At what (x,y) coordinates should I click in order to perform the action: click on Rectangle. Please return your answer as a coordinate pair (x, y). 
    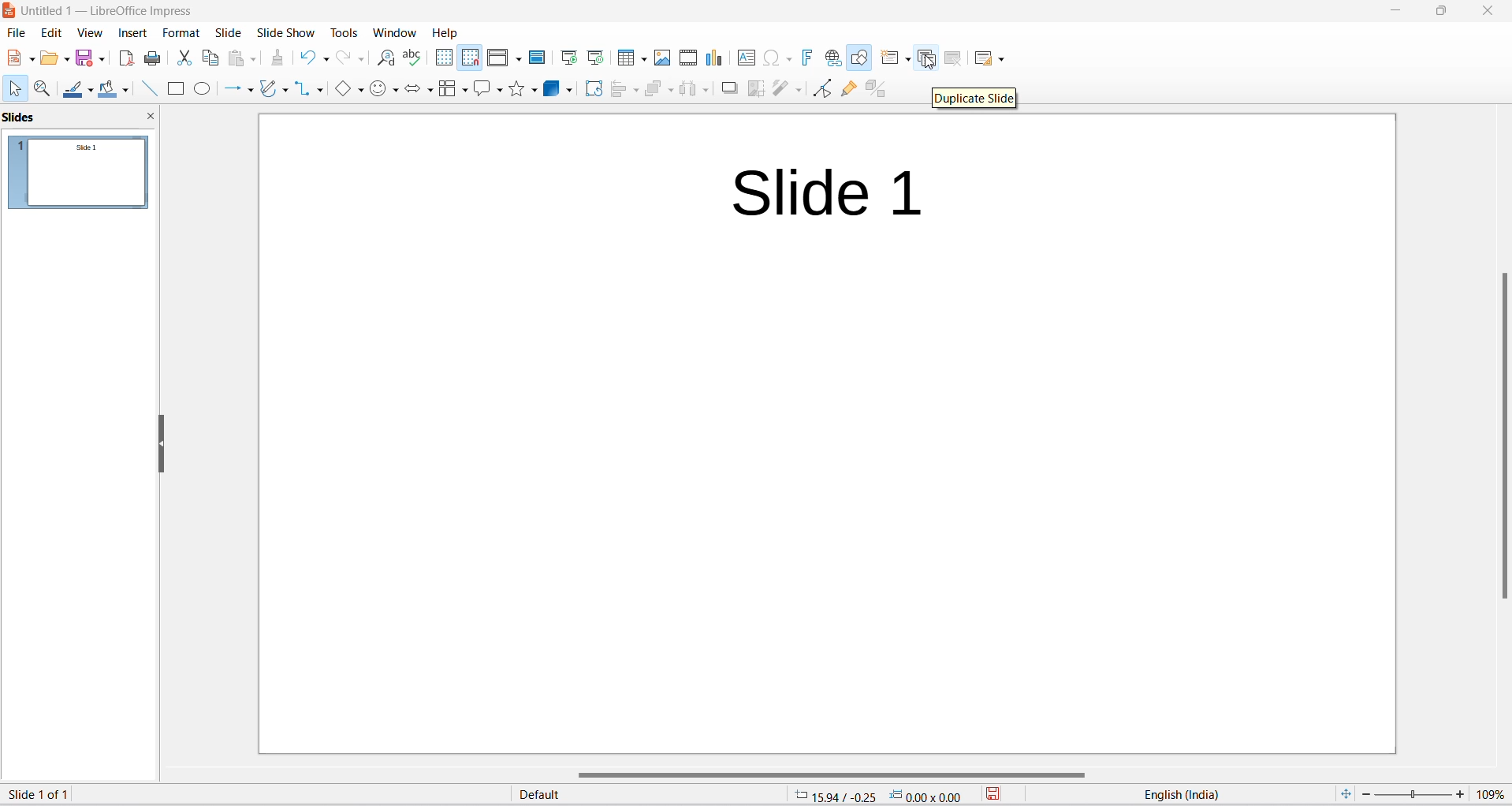
    Looking at the image, I should click on (174, 91).